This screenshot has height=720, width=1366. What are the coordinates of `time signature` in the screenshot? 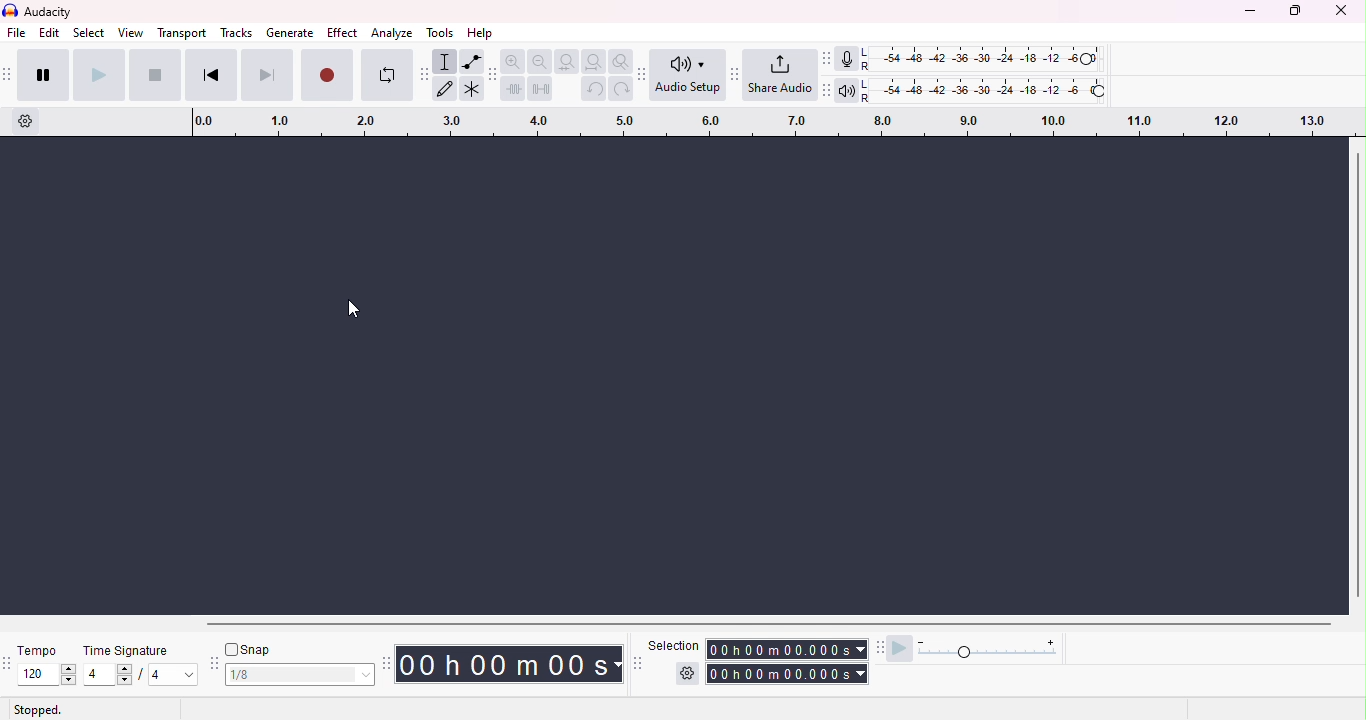 It's located at (131, 651).